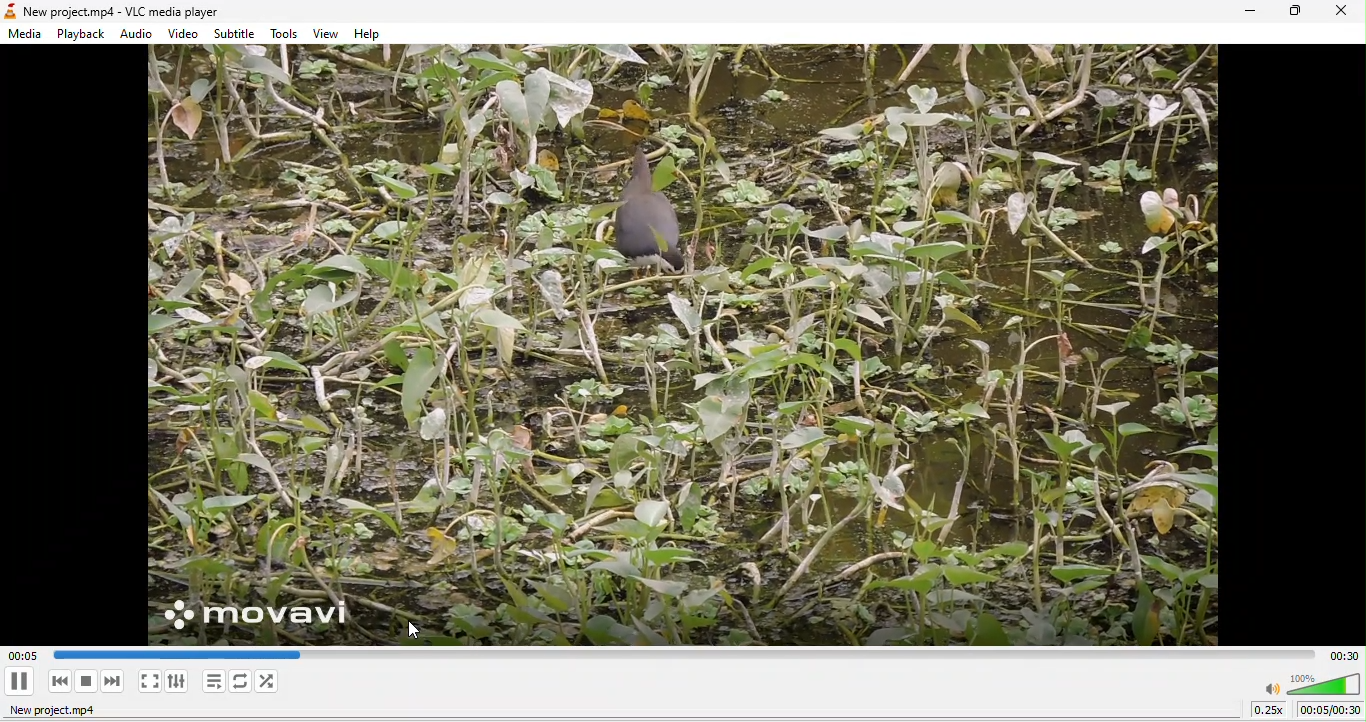  I want to click on toggle the video in fullscreen, so click(147, 683).